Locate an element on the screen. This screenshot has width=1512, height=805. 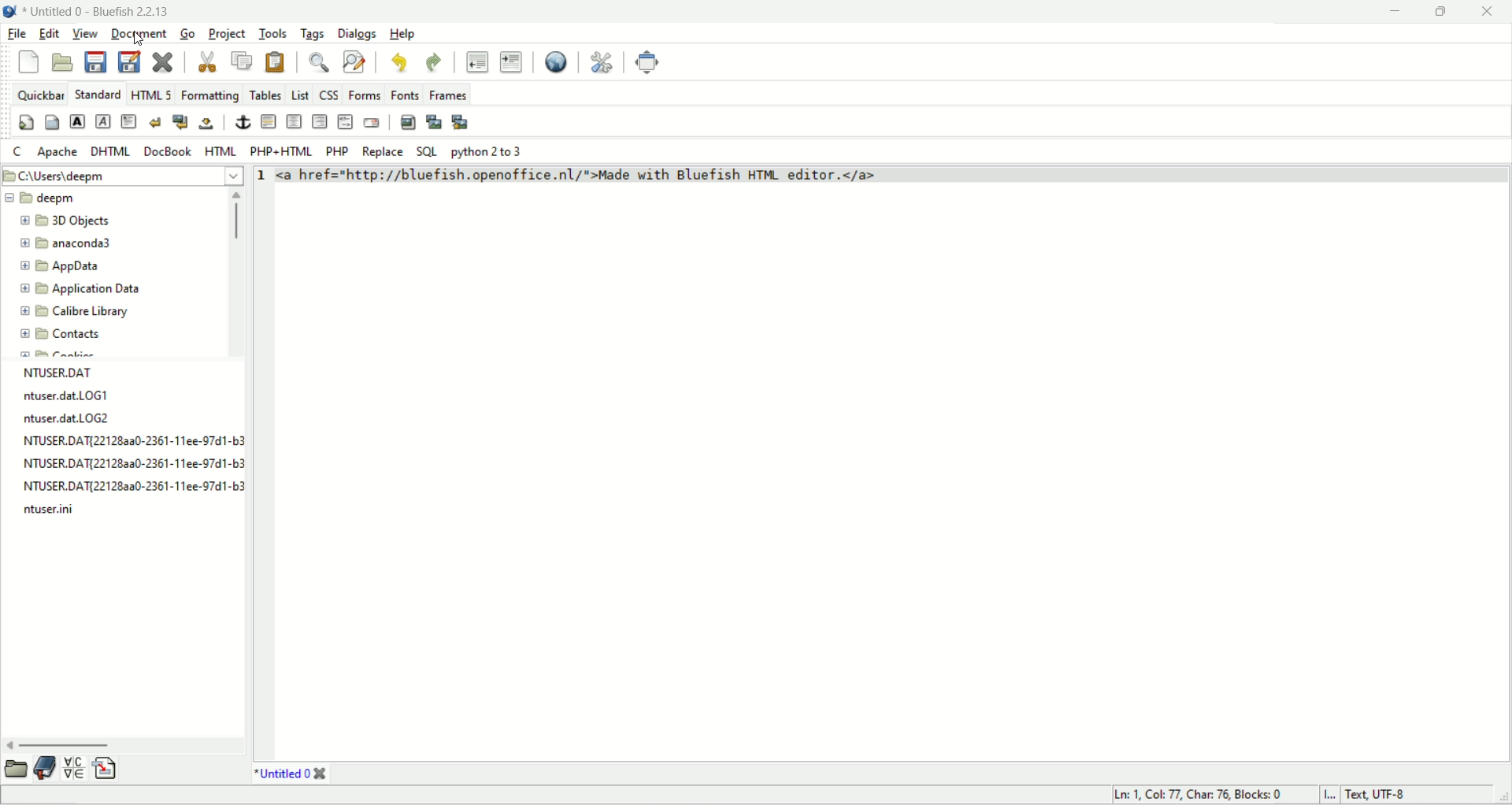
show find bar is located at coordinates (323, 61).